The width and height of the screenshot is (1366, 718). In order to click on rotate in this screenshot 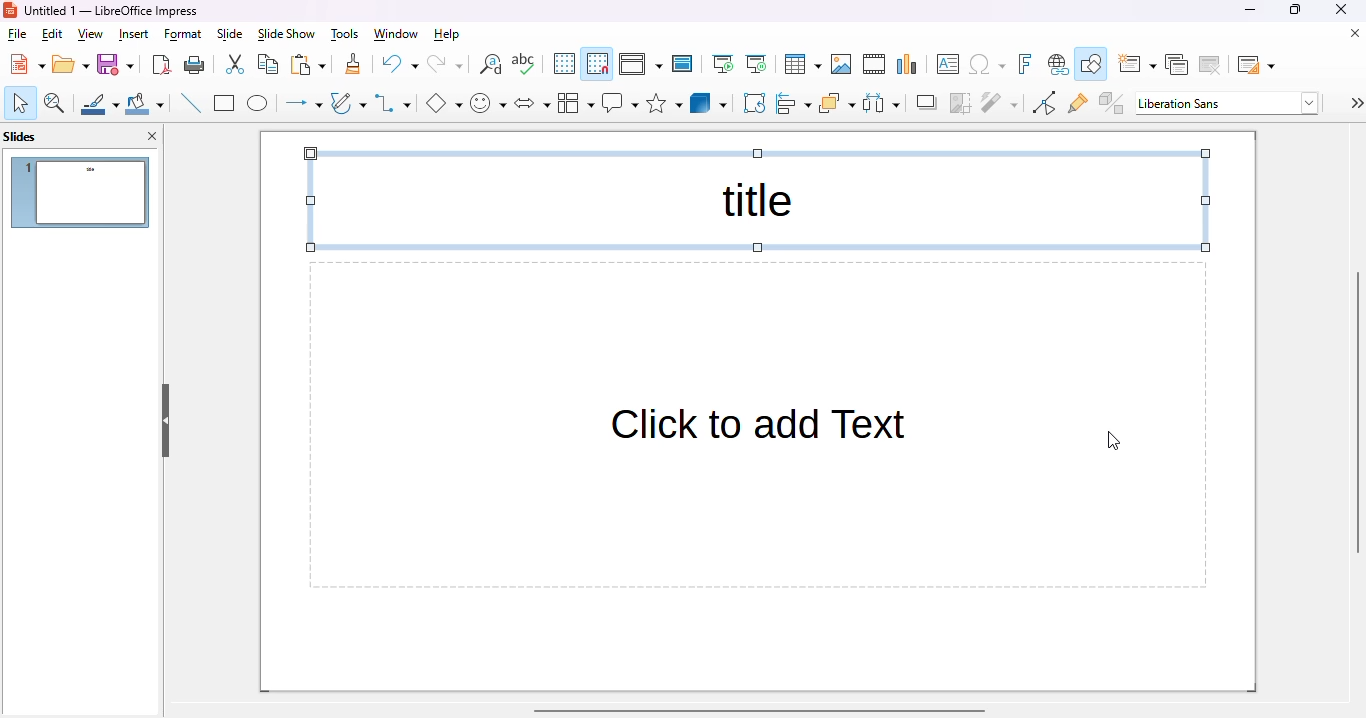, I will do `click(755, 103)`.